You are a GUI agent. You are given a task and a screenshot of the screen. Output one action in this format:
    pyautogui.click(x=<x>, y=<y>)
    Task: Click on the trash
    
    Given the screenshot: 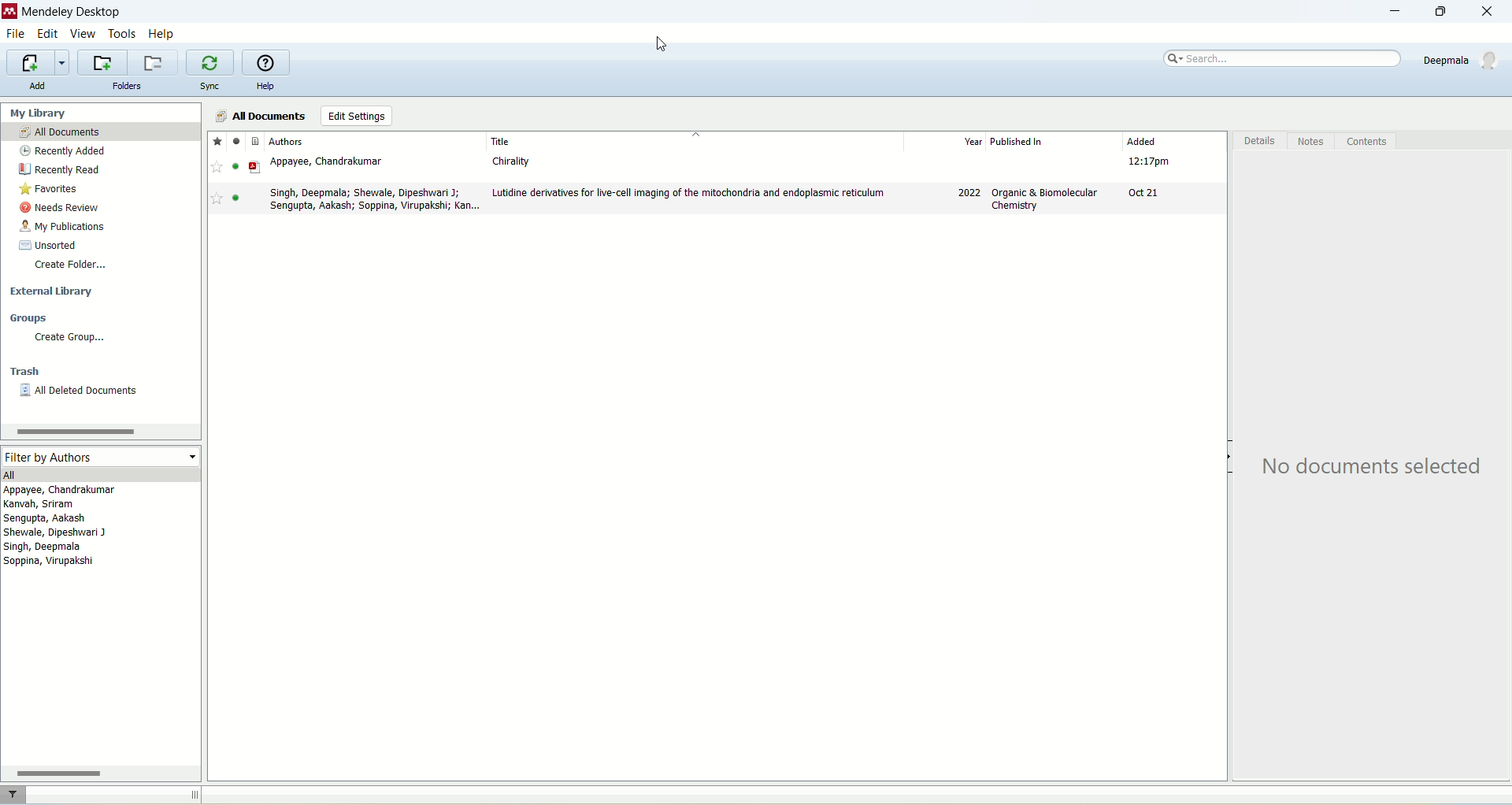 What is the action you would take?
    pyautogui.click(x=23, y=372)
    